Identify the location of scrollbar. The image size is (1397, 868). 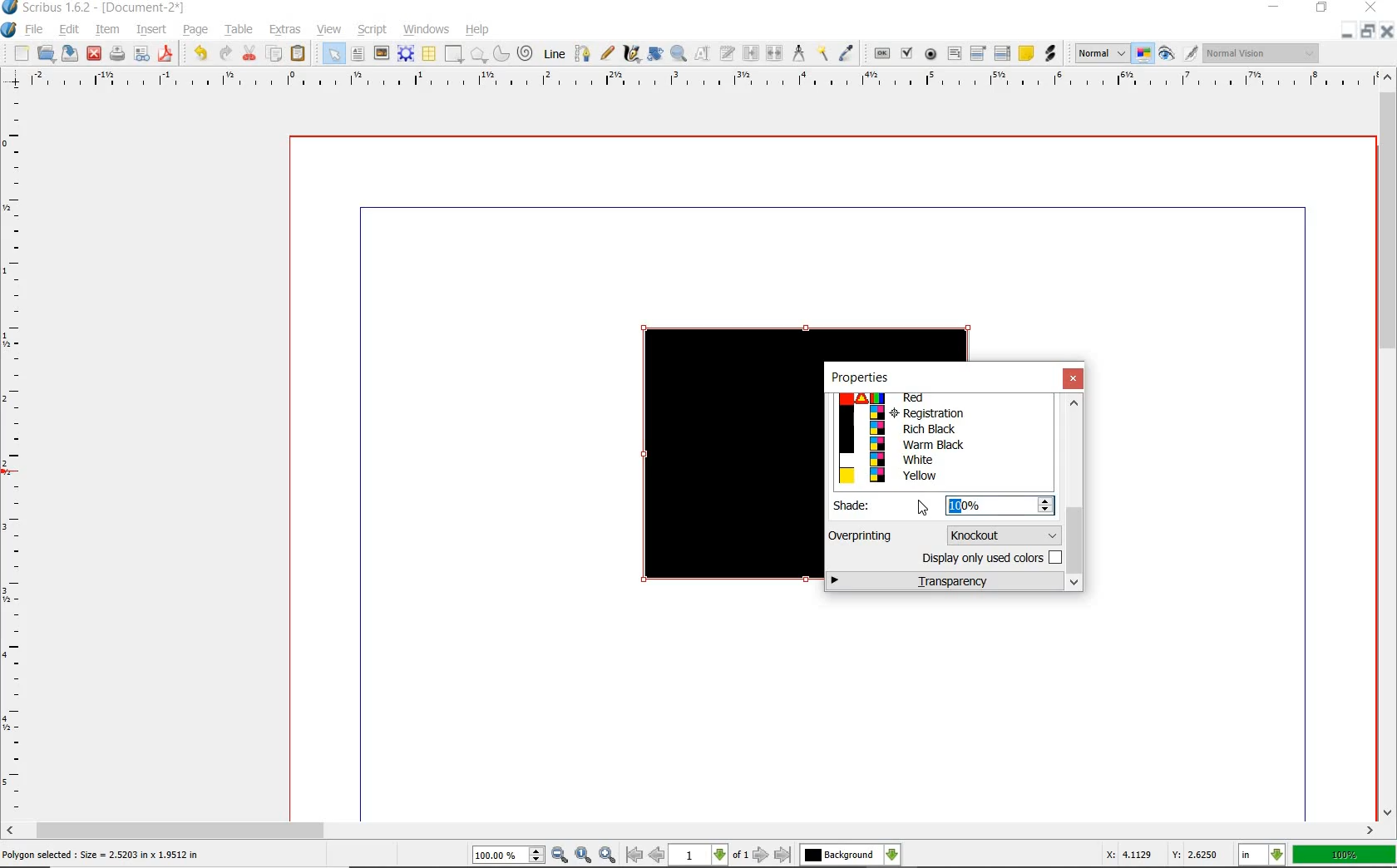
(1075, 494).